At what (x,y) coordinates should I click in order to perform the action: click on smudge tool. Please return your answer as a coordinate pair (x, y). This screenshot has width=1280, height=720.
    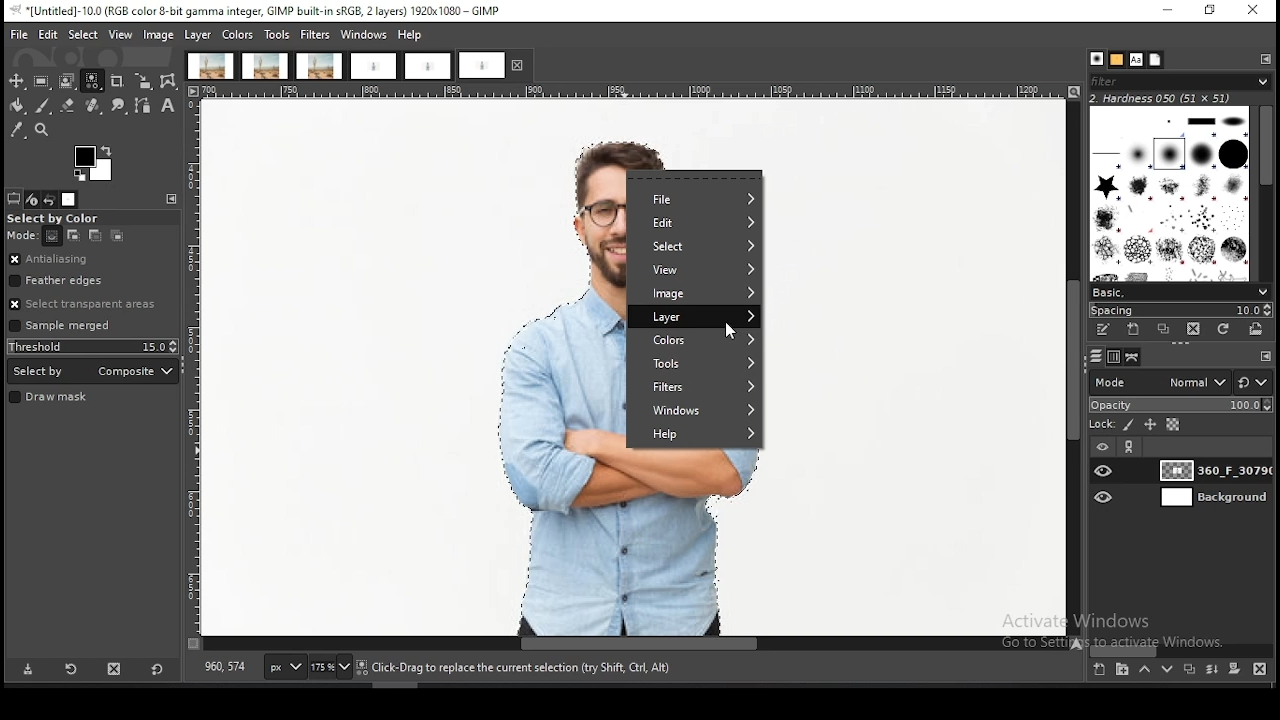
    Looking at the image, I should click on (119, 106).